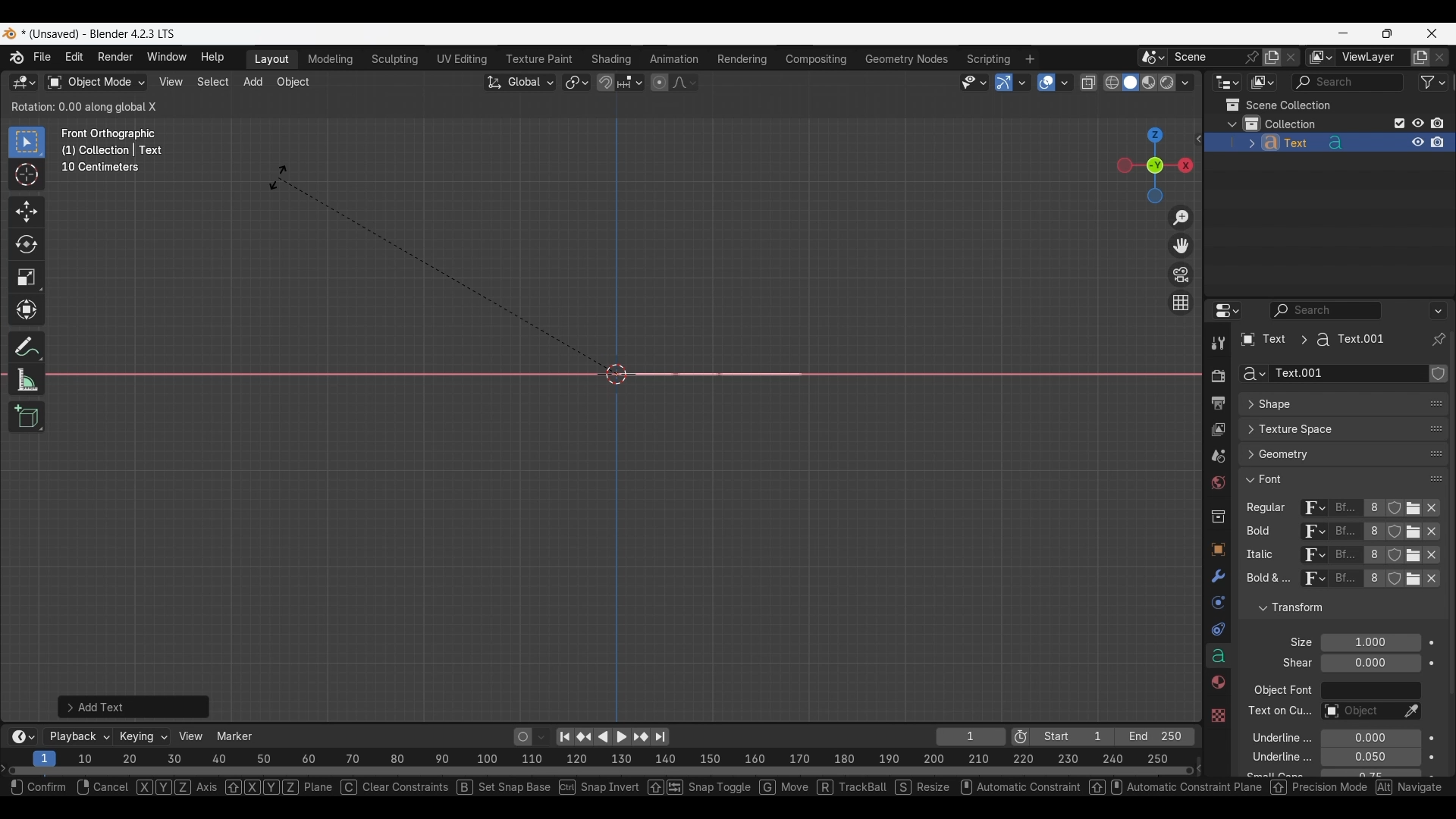 The height and width of the screenshot is (819, 1456). Describe the element at coordinates (89, 108) in the screenshot. I see `Details of current rotation` at that location.